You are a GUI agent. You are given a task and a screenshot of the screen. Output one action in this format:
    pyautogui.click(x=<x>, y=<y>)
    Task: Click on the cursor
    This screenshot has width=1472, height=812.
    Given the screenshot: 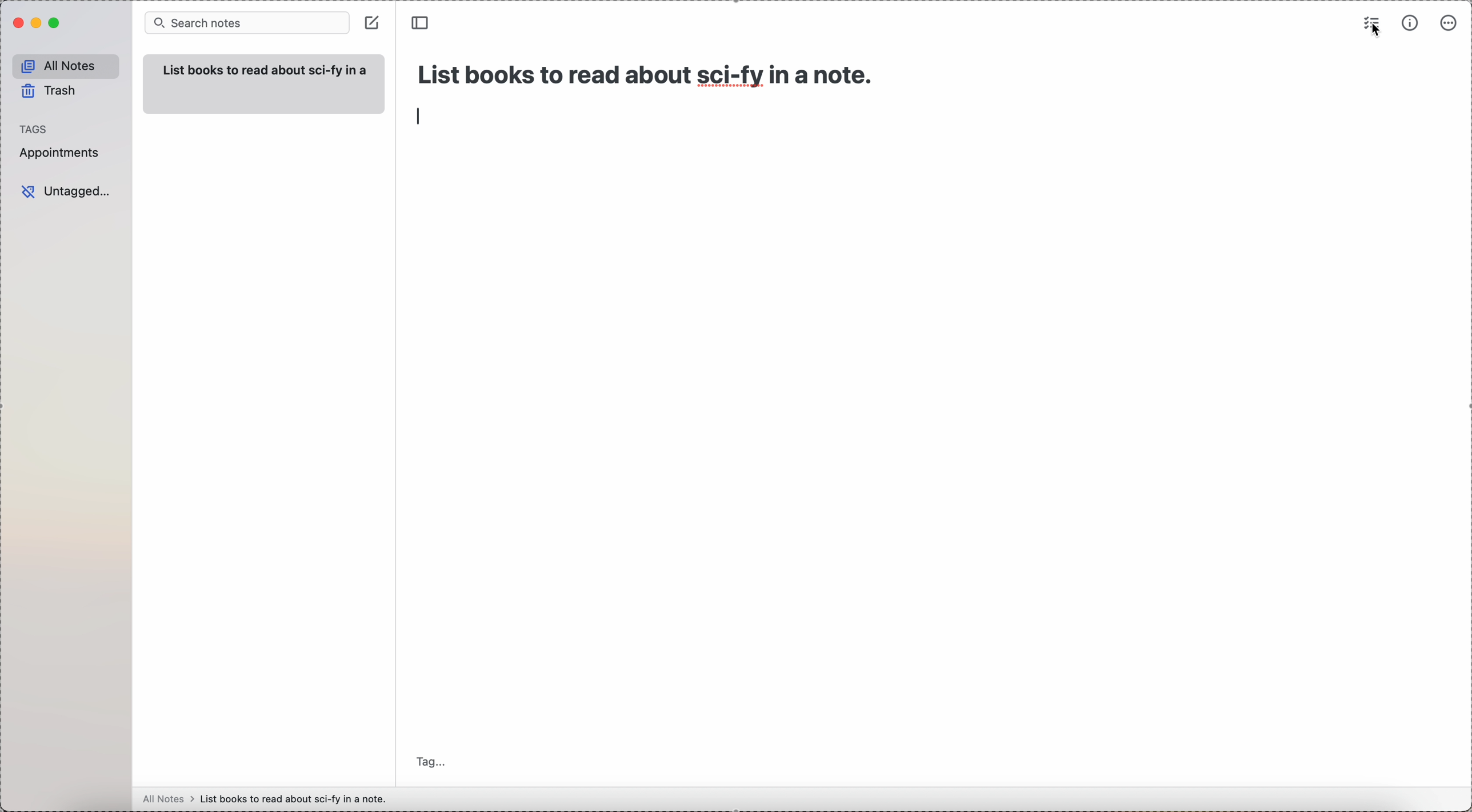 What is the action you would take?
    pyautogui.click(x=1375, y=33)
    